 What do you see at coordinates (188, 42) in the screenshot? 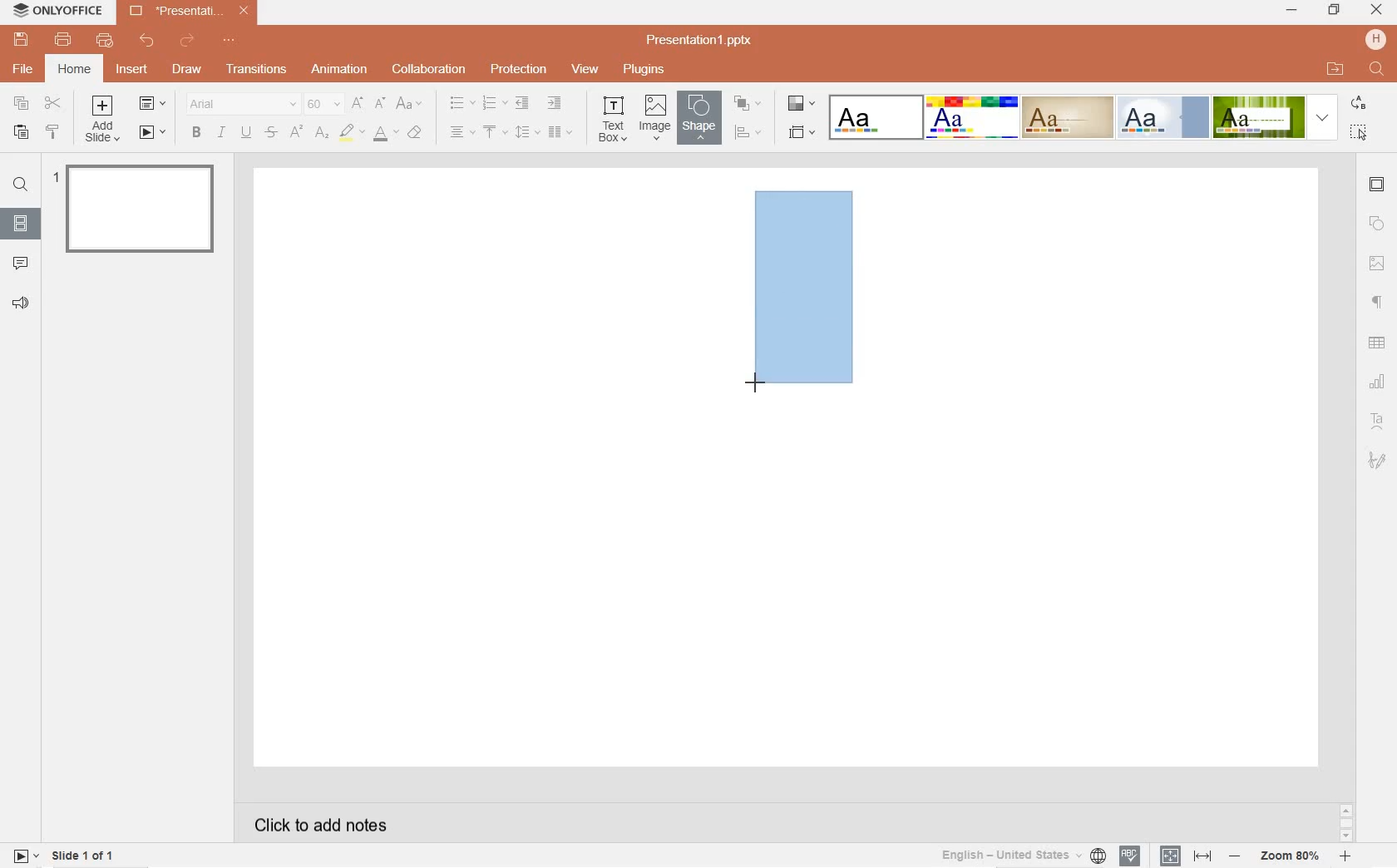
I see `redo` at bounding box center [188, 42].